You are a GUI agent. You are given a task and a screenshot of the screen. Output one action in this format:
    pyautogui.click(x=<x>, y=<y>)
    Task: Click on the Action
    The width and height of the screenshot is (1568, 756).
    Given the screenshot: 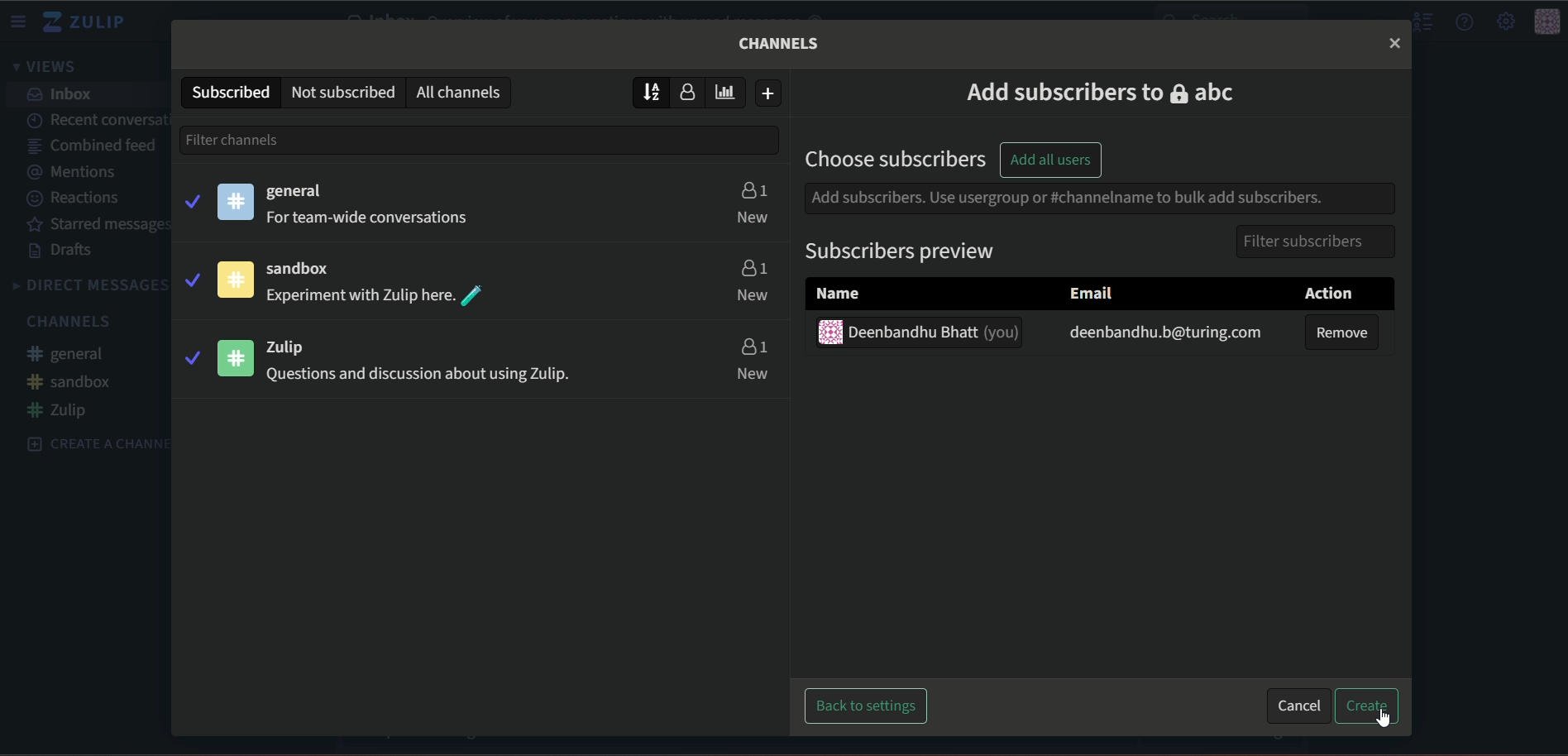 What is the action you would take?
    pyautogui.click(x=1314, y=292)
    